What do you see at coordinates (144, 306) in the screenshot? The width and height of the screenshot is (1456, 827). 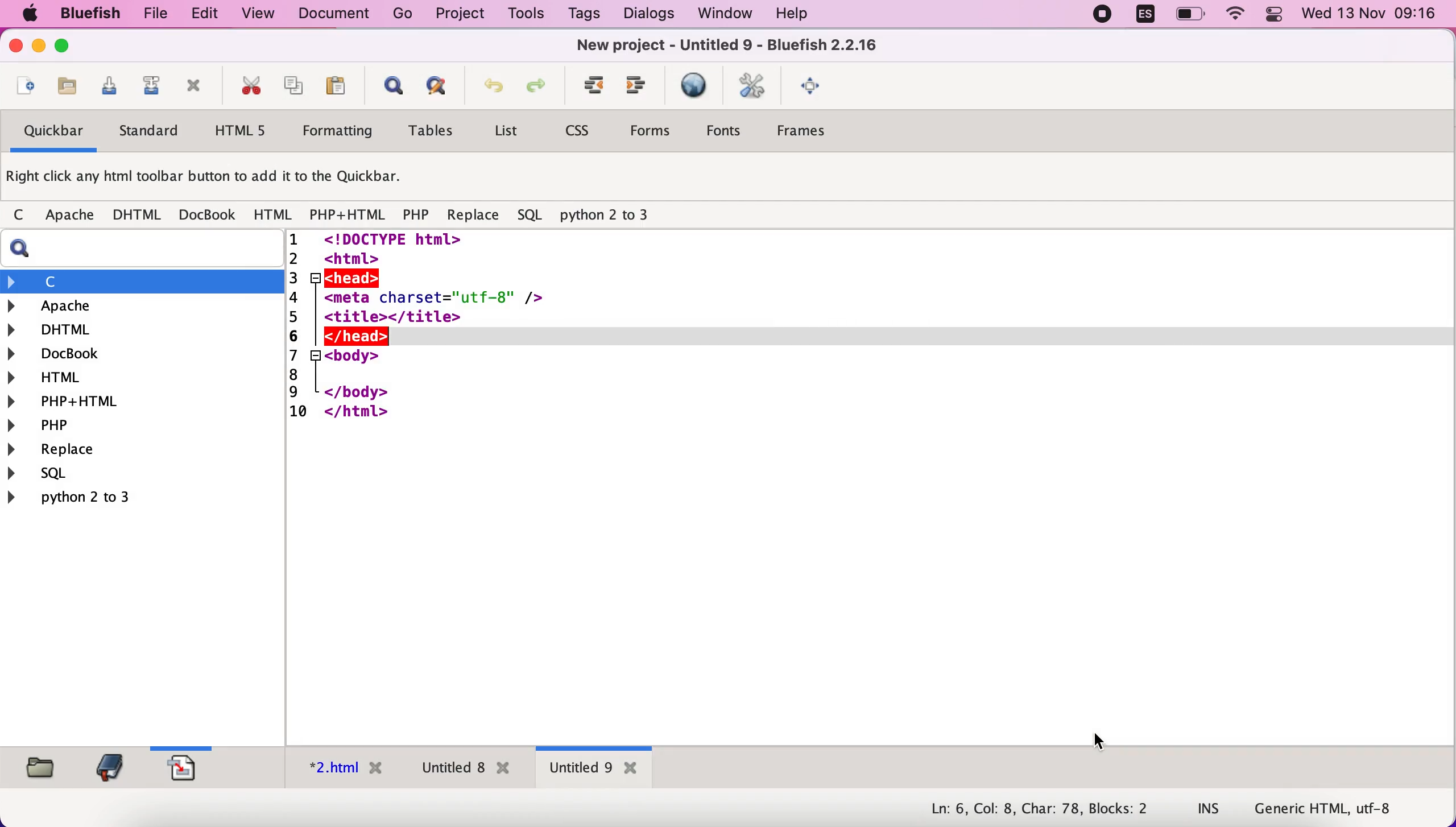 I see `apache` at bounding box center [144, 306].